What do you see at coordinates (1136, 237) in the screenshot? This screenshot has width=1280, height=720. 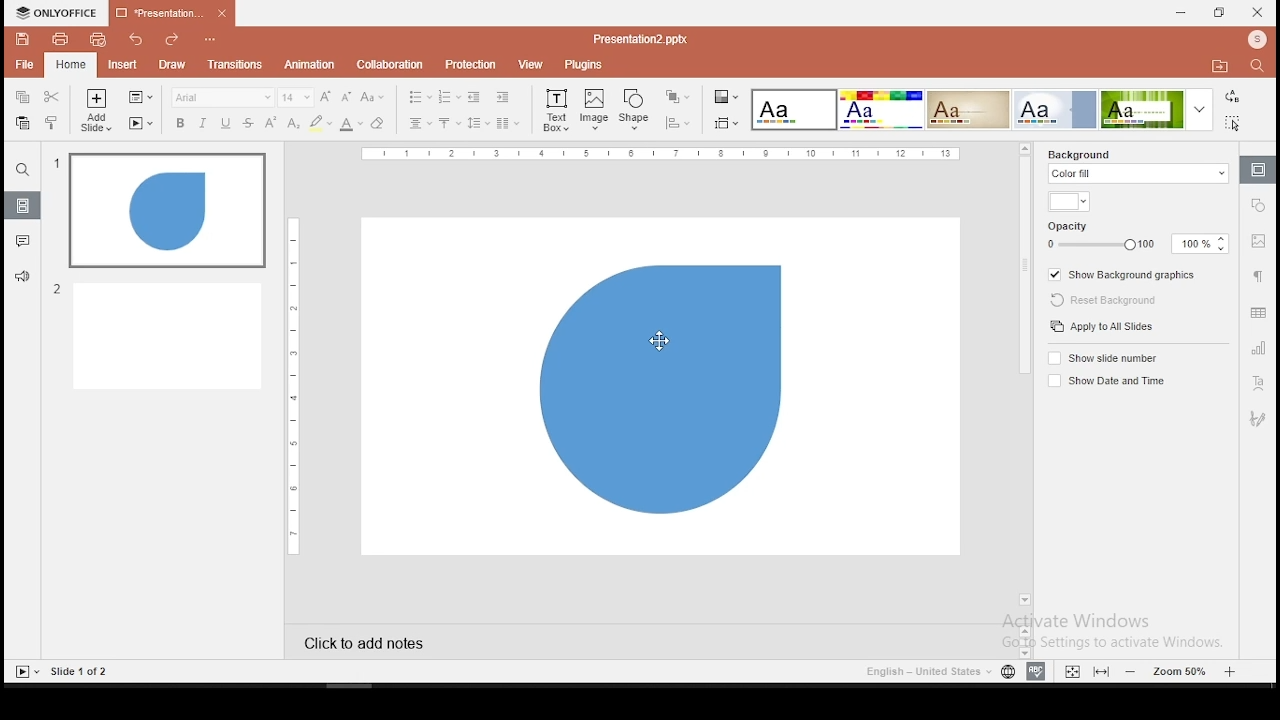 I see `opacity` at bounding box center [1136, 237].